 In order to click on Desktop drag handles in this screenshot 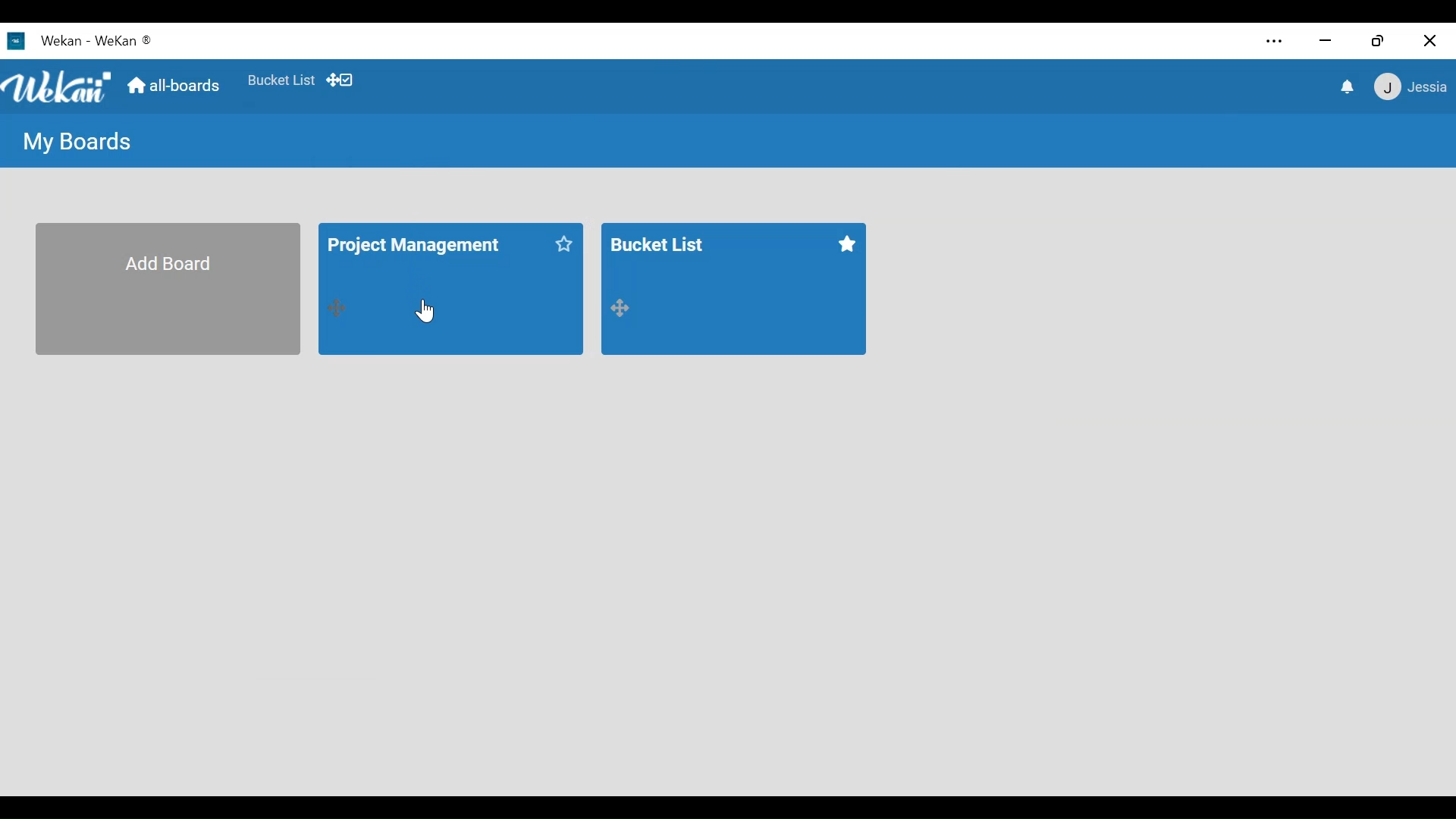, I will do `click(340, 80)`.